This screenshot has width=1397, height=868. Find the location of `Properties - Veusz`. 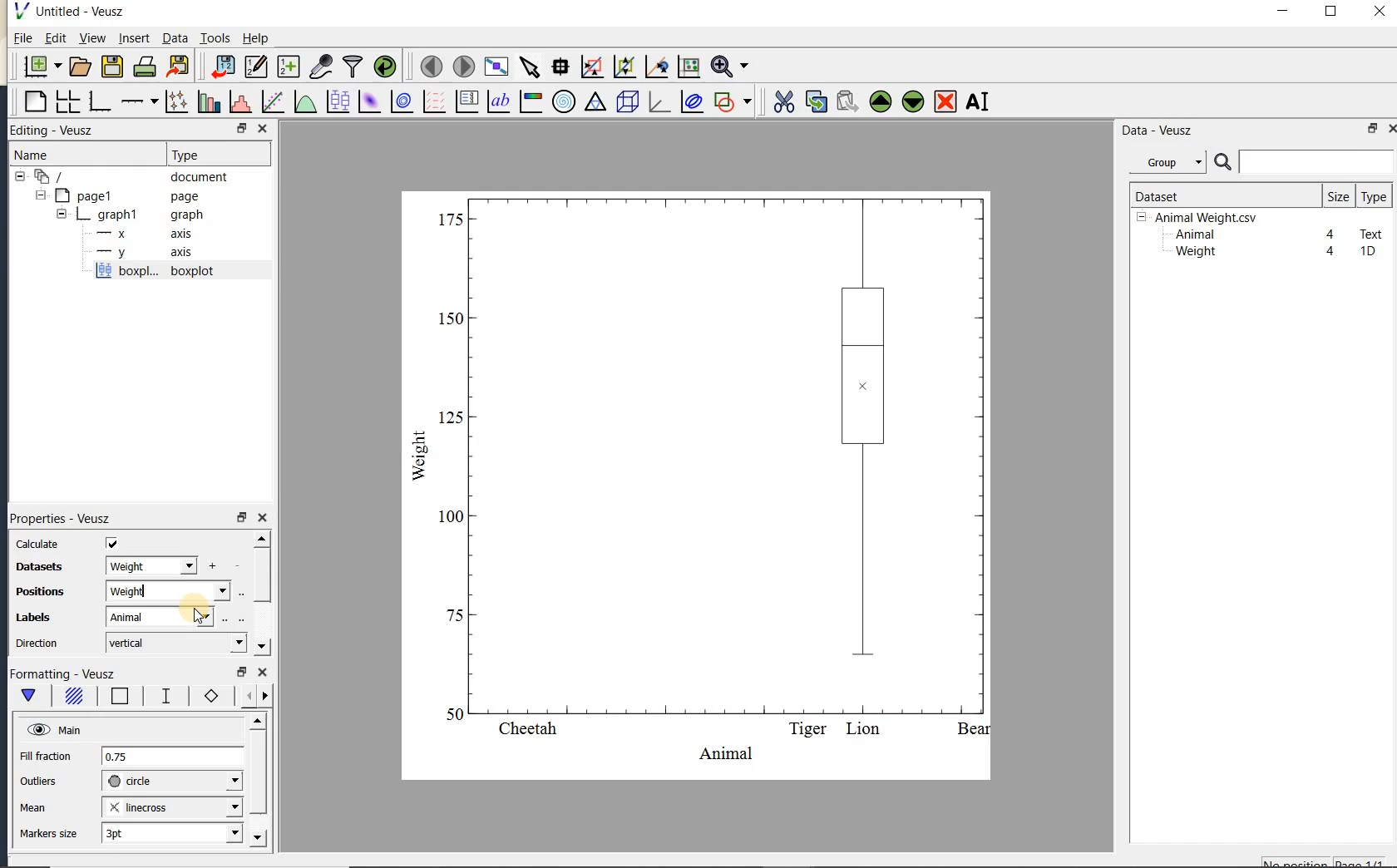

Properties - Veusz is located at coordinates (59, 515).